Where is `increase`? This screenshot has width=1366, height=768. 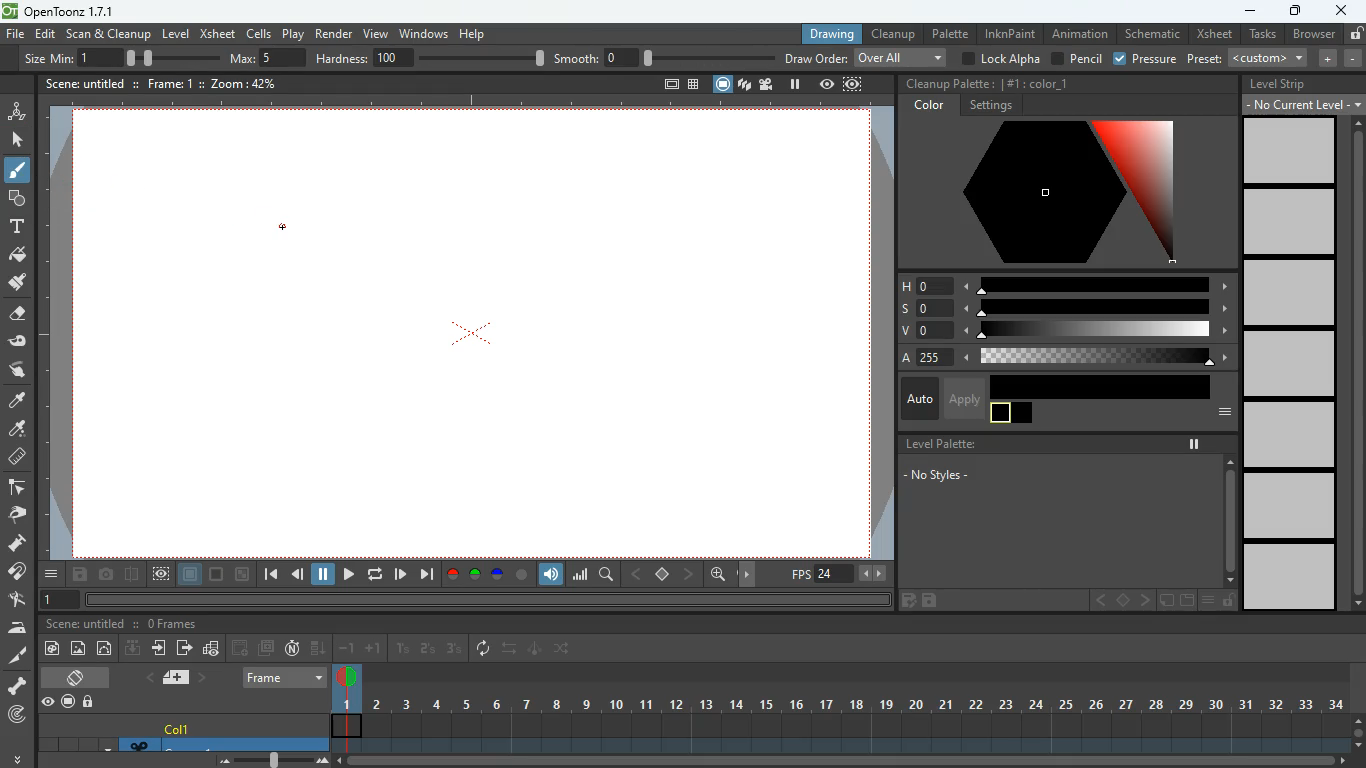 increase is located at coordinates (1324, 58).